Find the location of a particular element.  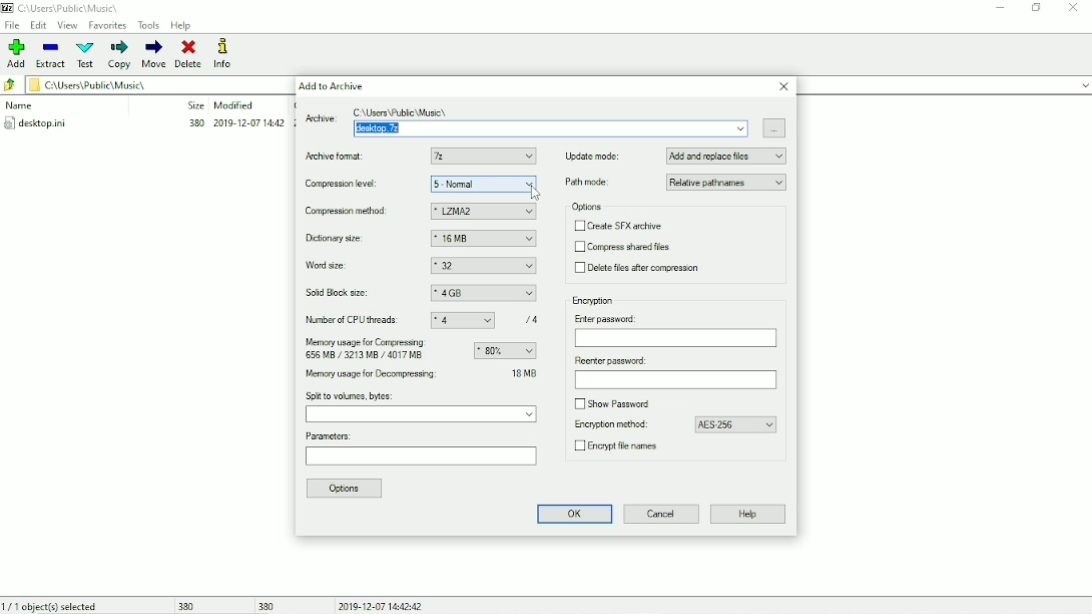

32 is located at coordinates (484, 266).